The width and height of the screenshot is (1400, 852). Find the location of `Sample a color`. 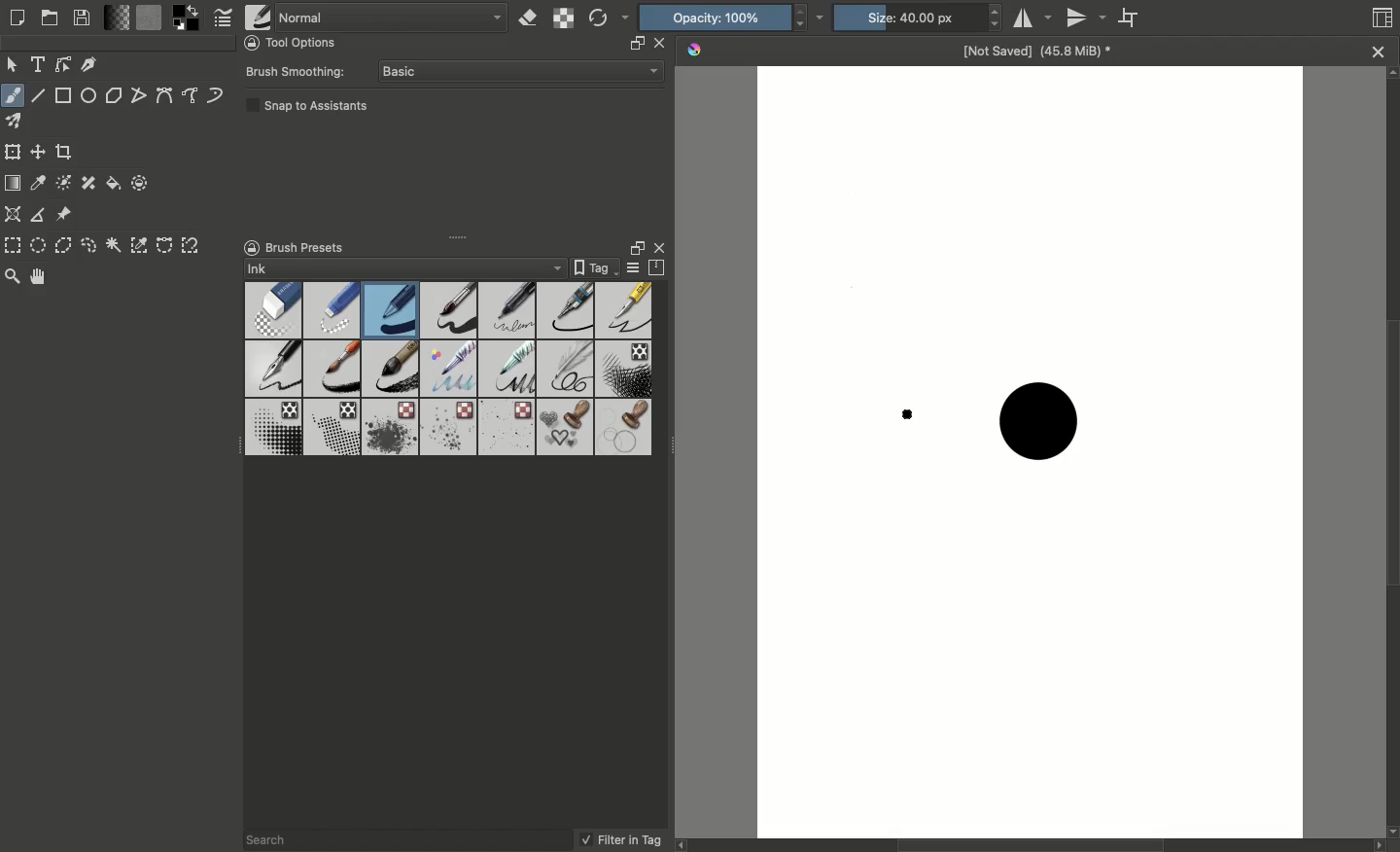

Sample a color is located at coordinates (40, 183).